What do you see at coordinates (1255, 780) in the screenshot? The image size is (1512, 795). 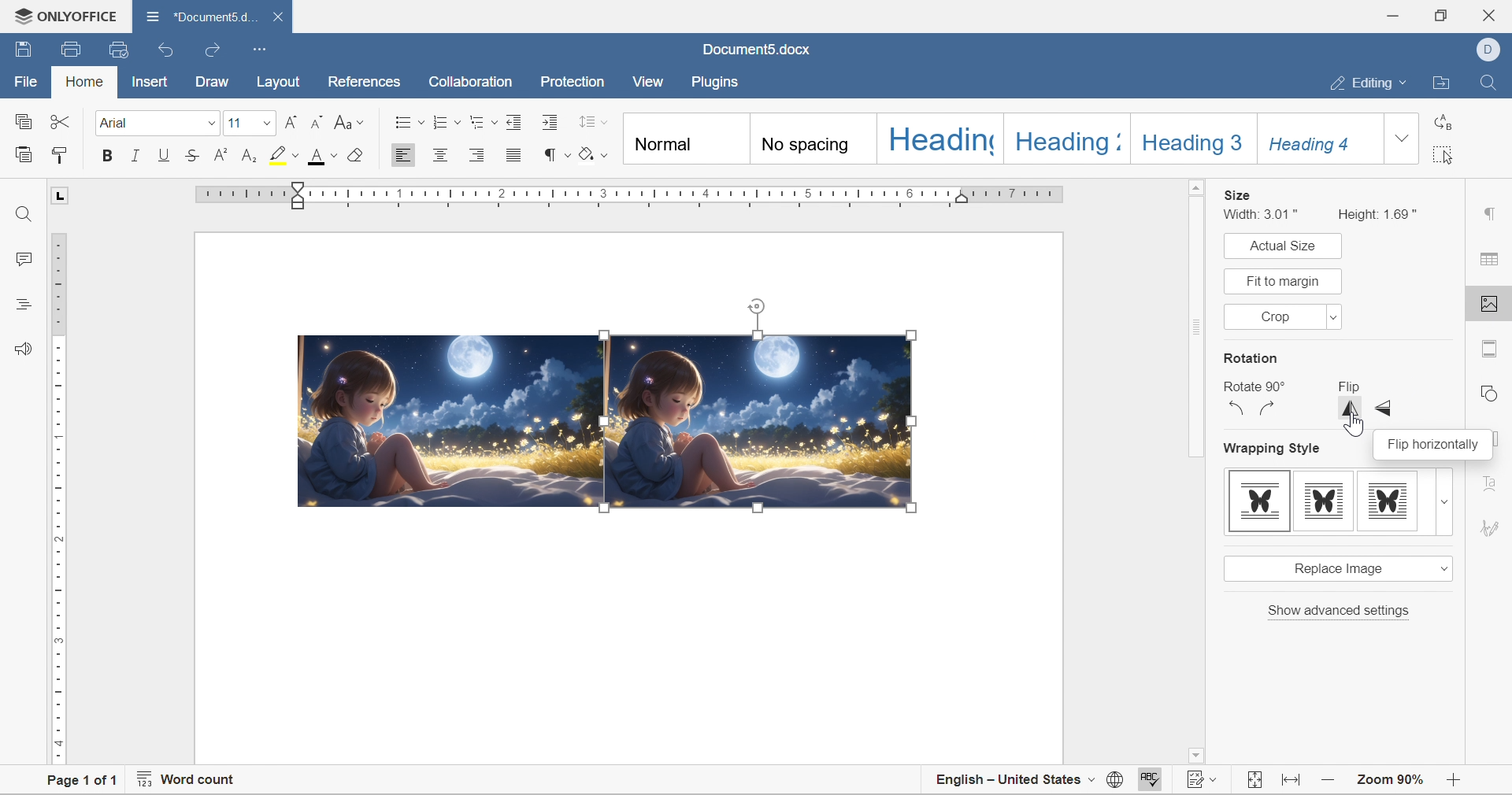 I see `fit to page` at bounding box center [1255, 780].